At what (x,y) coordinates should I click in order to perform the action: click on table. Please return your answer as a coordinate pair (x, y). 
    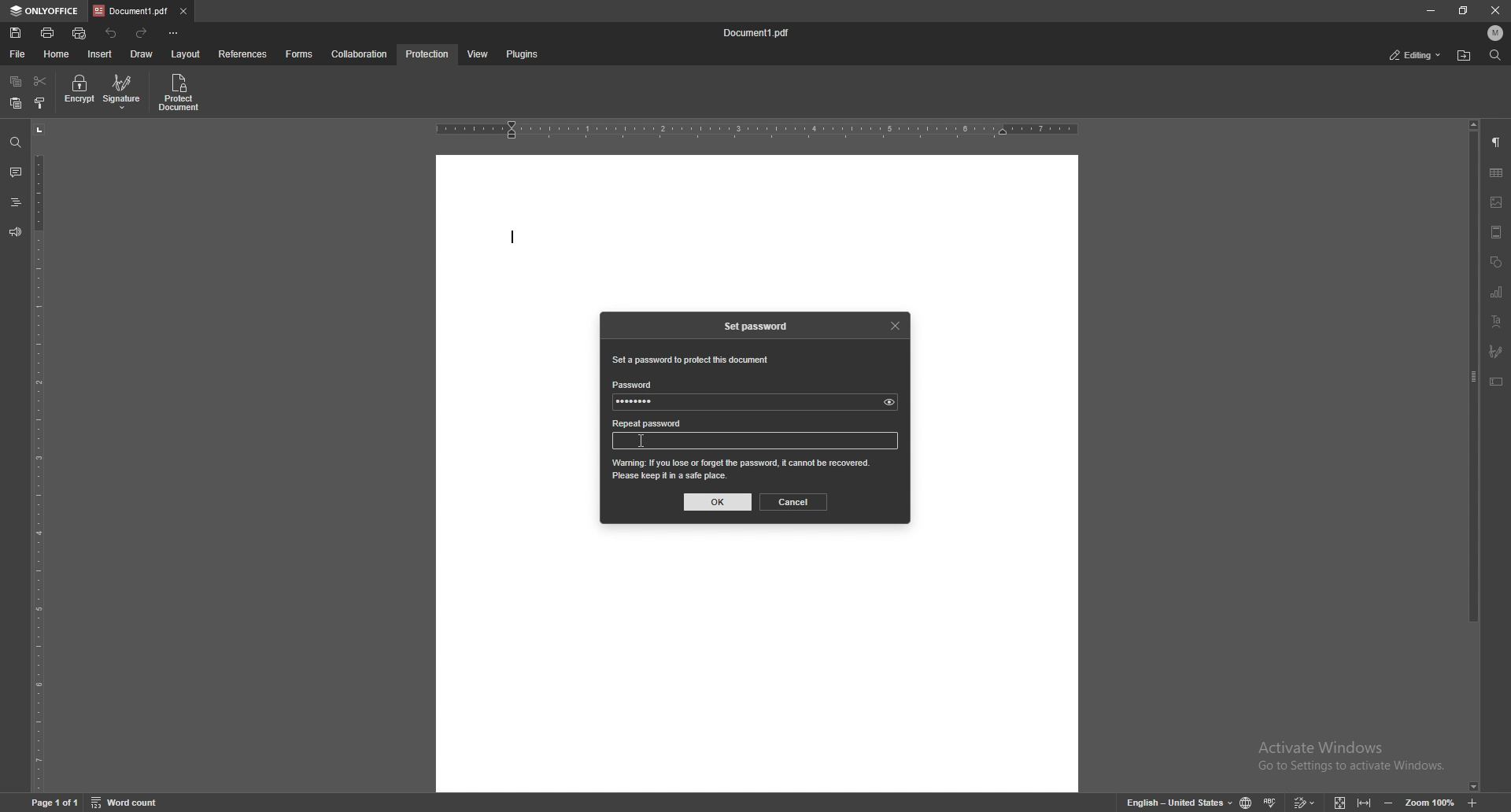
    Looking at the image, I should click on (1498, 174).